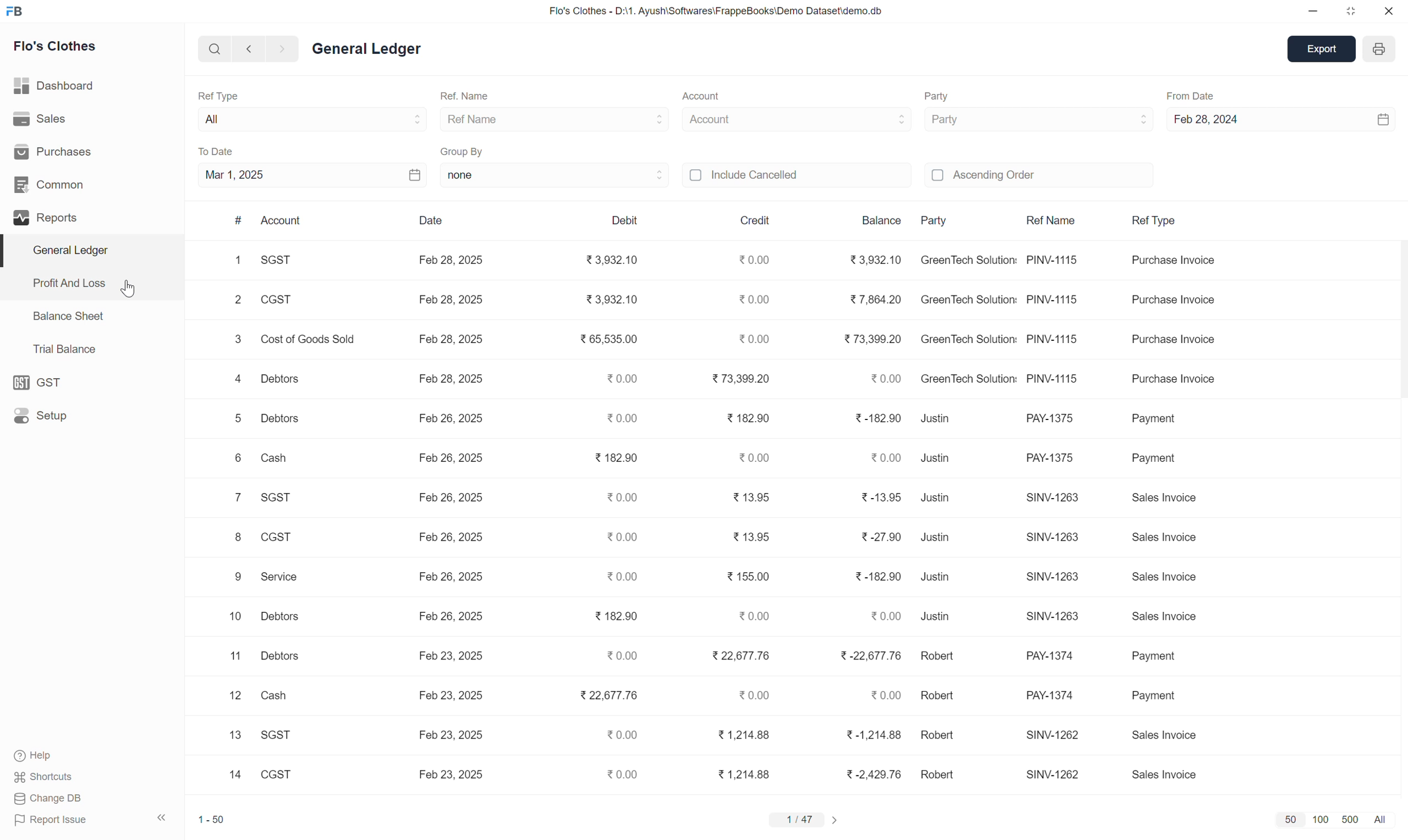 The height and width of the screenshot is (840, 1408). Describe the element at coordinates (401, 177) in the screenshot. I see `Calendar` at that location.